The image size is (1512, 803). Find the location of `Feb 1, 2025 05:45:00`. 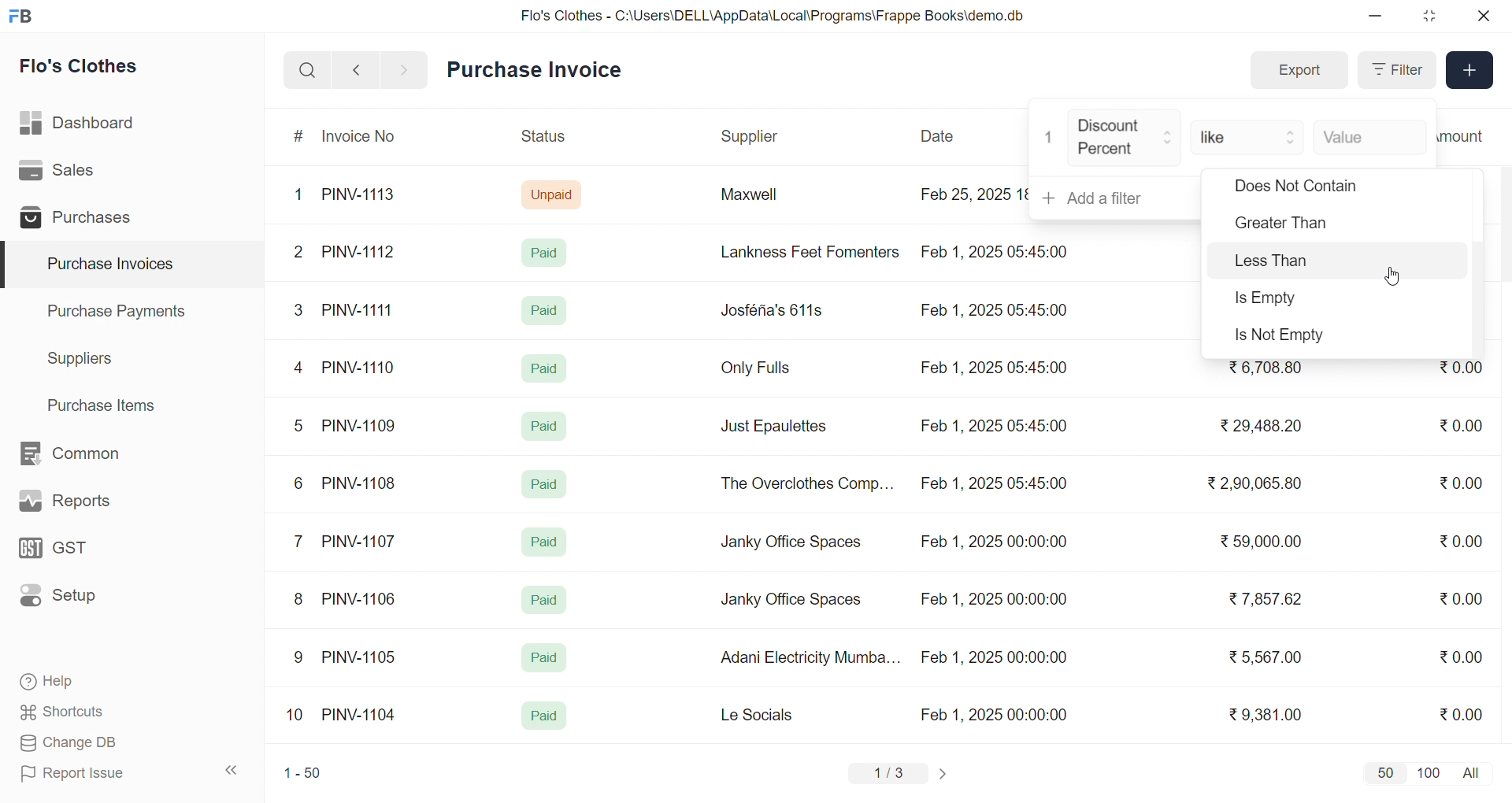

Feb 1, 2025 05:45:00 is located at coordinates (996, 485).